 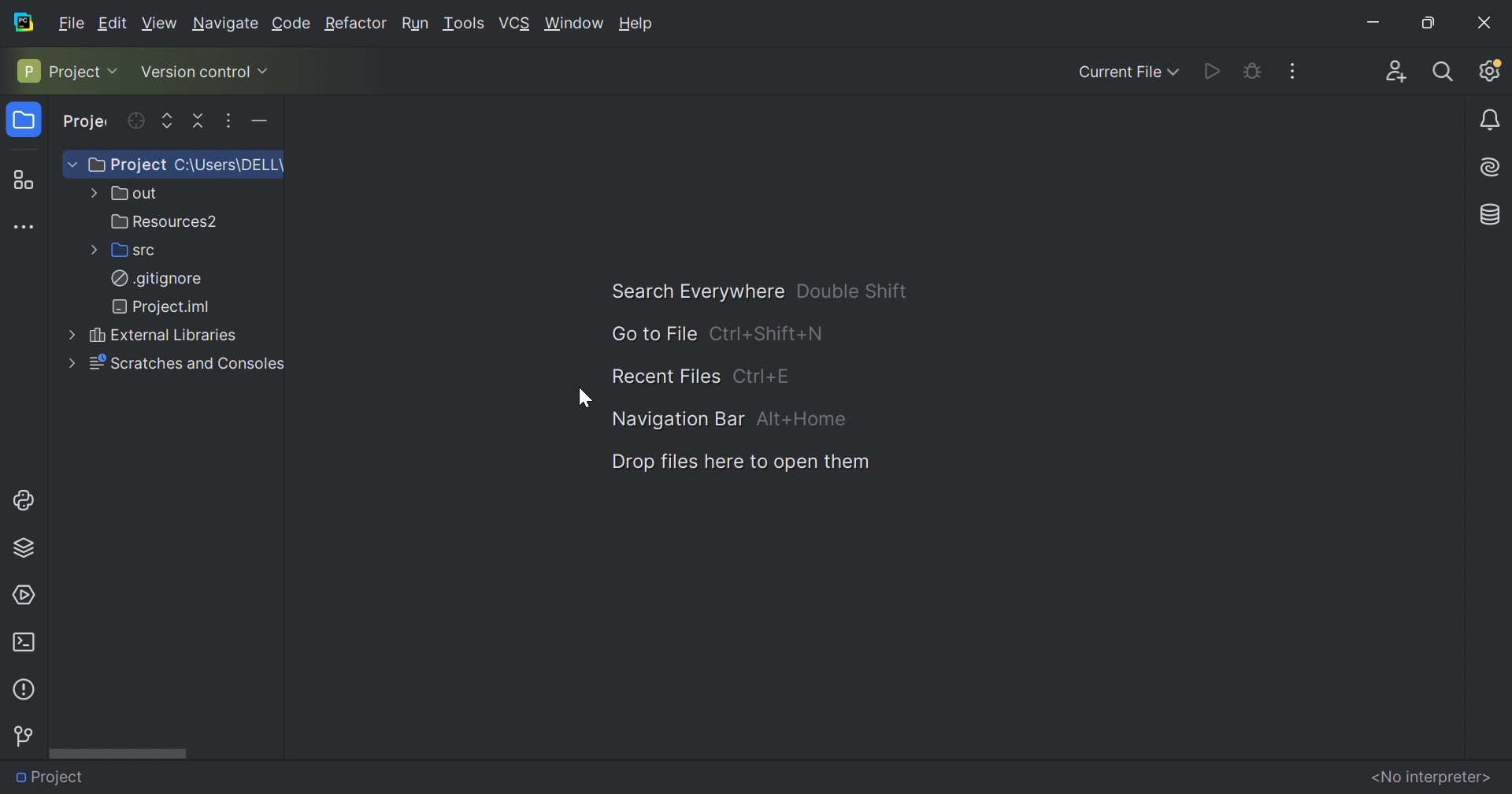 What do you see at coordinates (87, 122) in the screenshot?
I see `Project` at bounding box center [87, 122].